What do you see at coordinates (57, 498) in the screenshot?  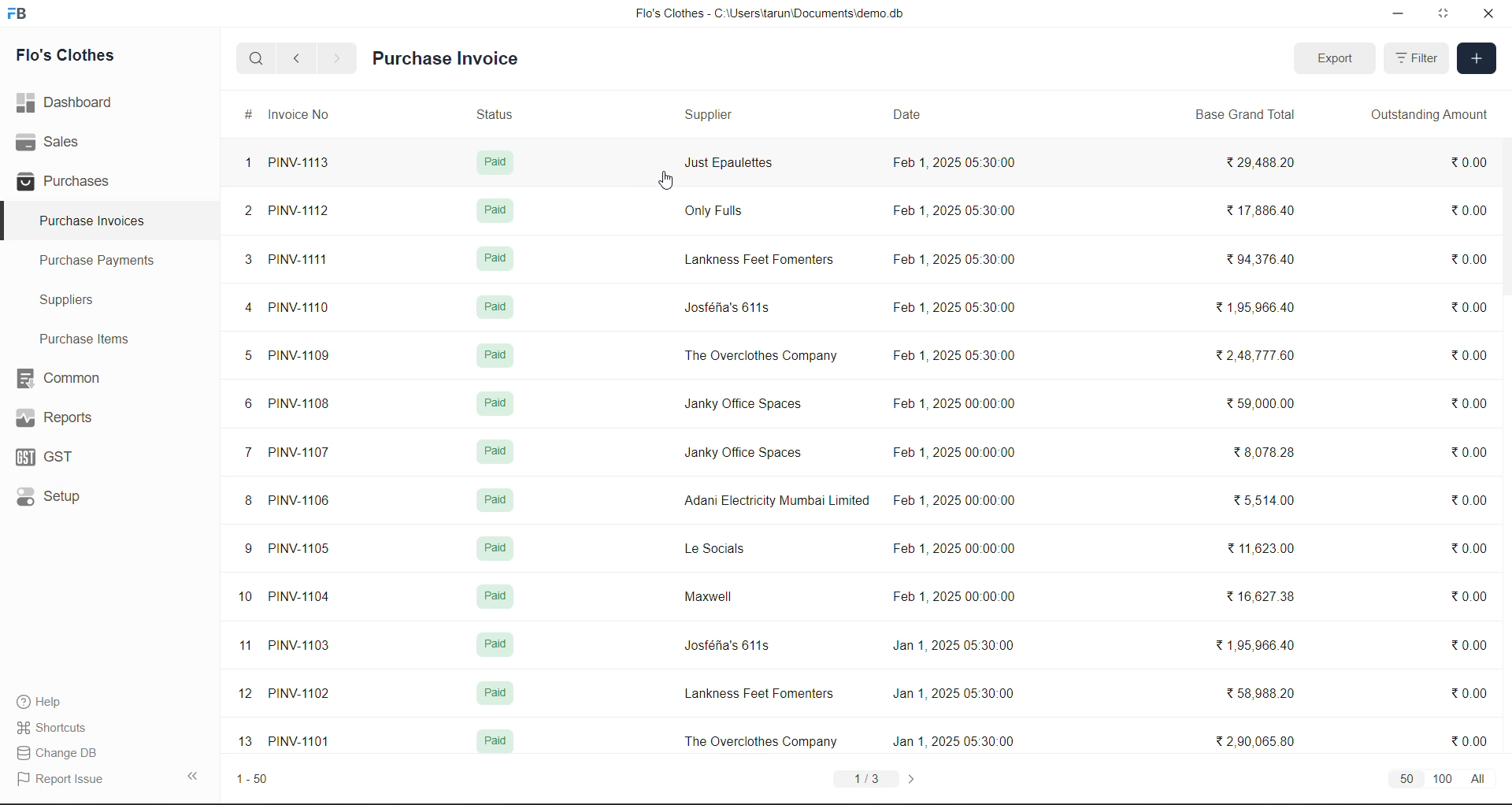 I see `Setup` at bounding box center [57, 498].